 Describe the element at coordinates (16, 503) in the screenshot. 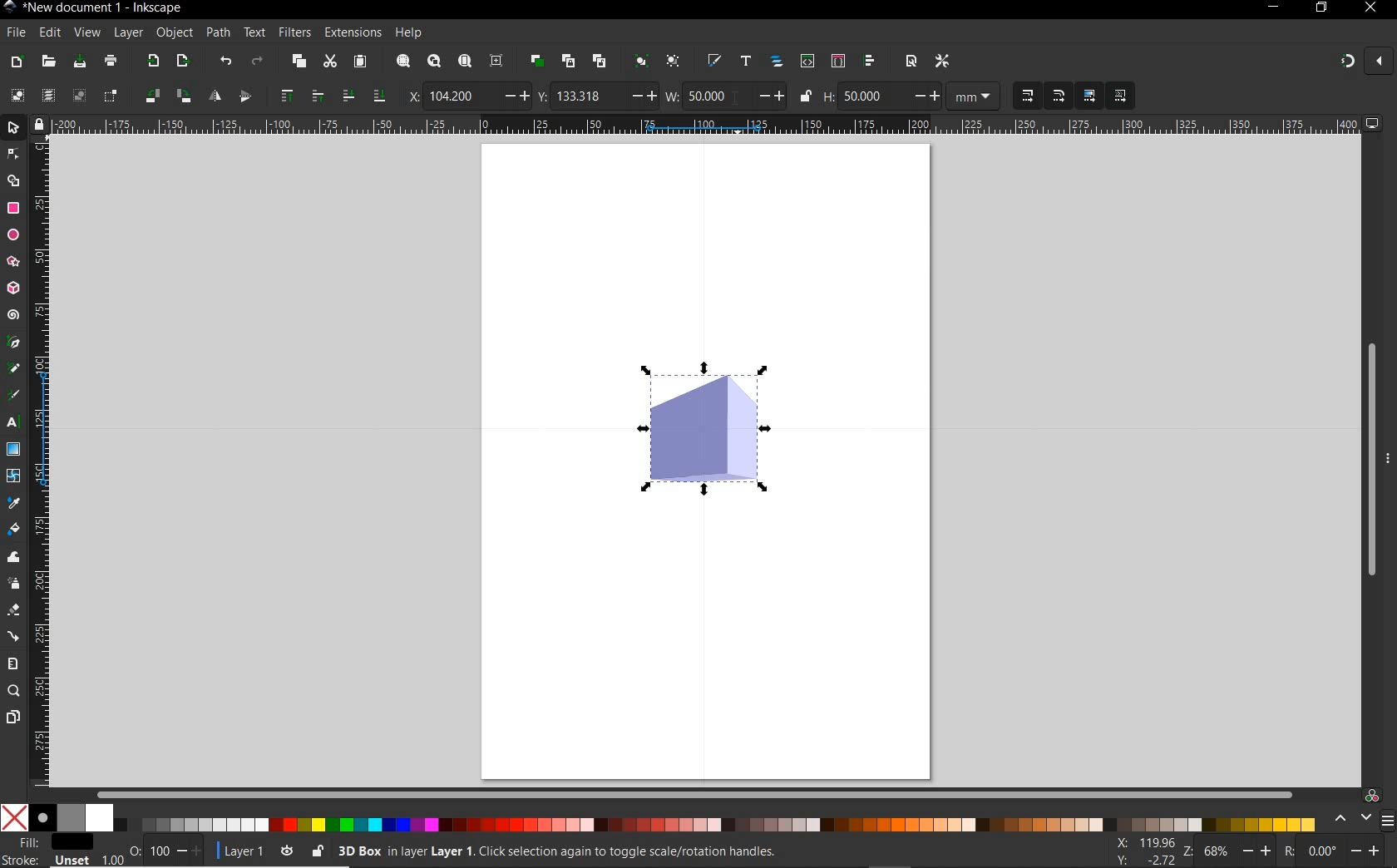

I see `dropper tool` at that location.